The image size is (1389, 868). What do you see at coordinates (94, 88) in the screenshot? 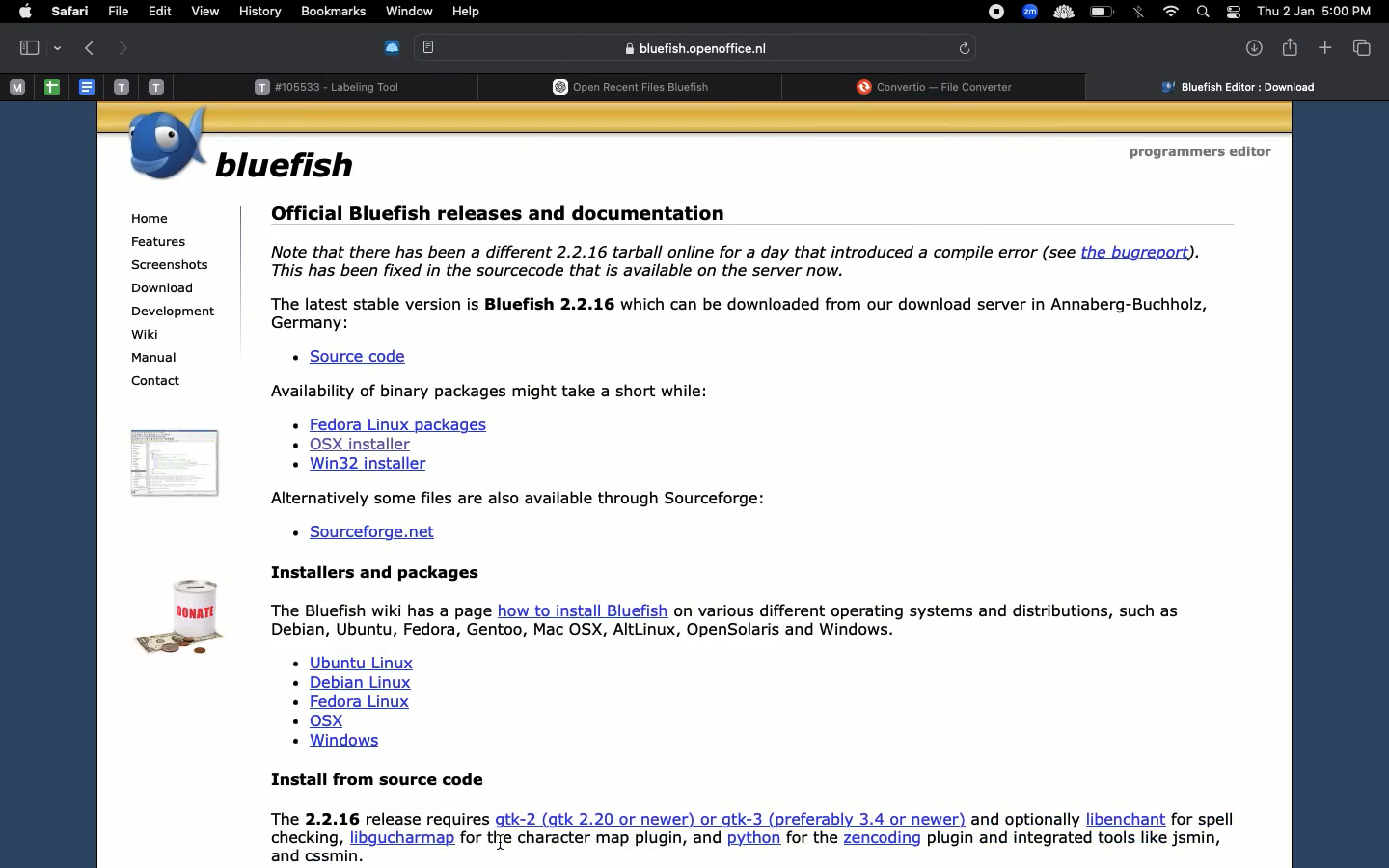
I see `pinned tabs` at bounding box center [94, 88].